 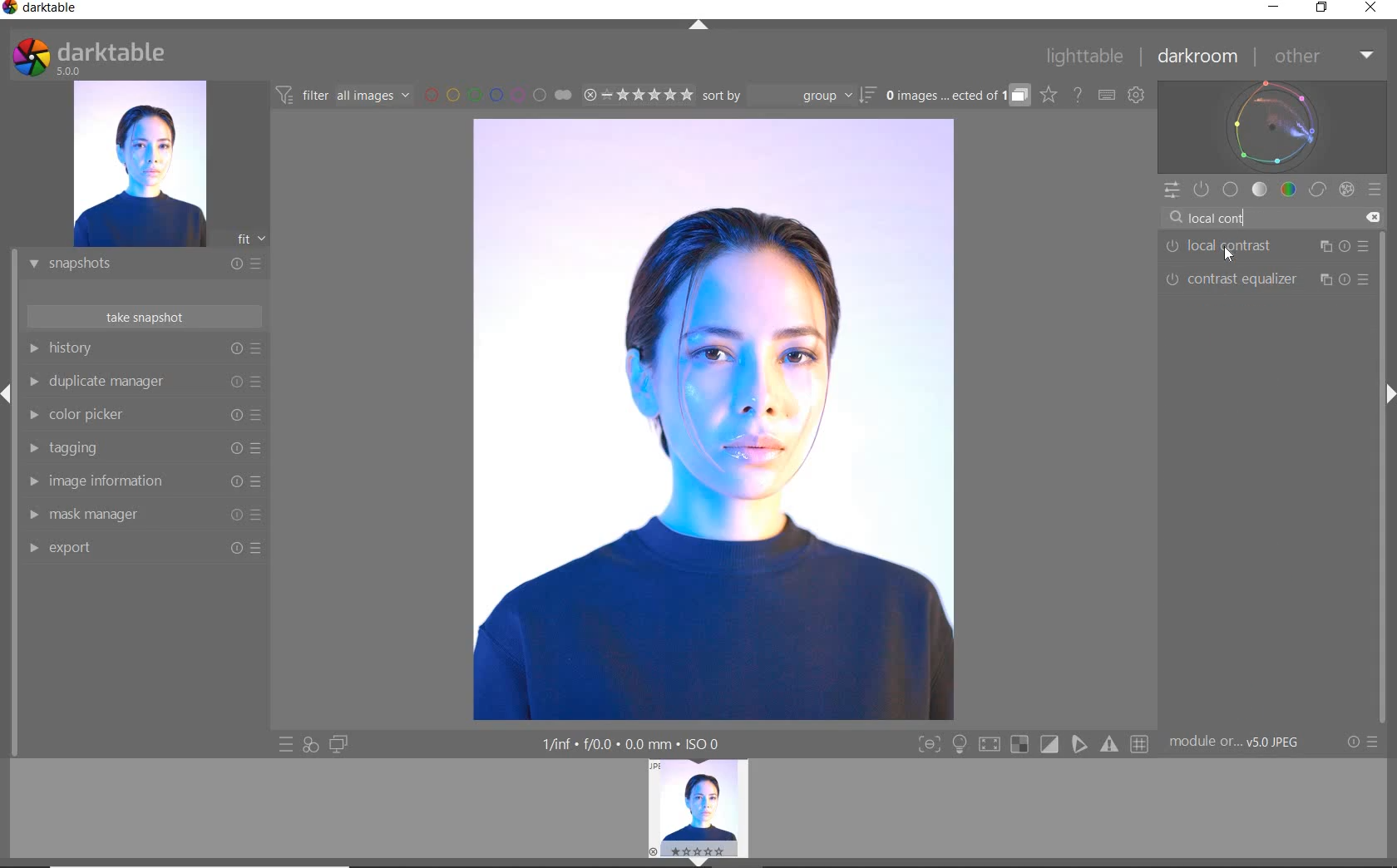 I want to click on MODULE...v5.0 JPEG, so click(x=1246, y=742).